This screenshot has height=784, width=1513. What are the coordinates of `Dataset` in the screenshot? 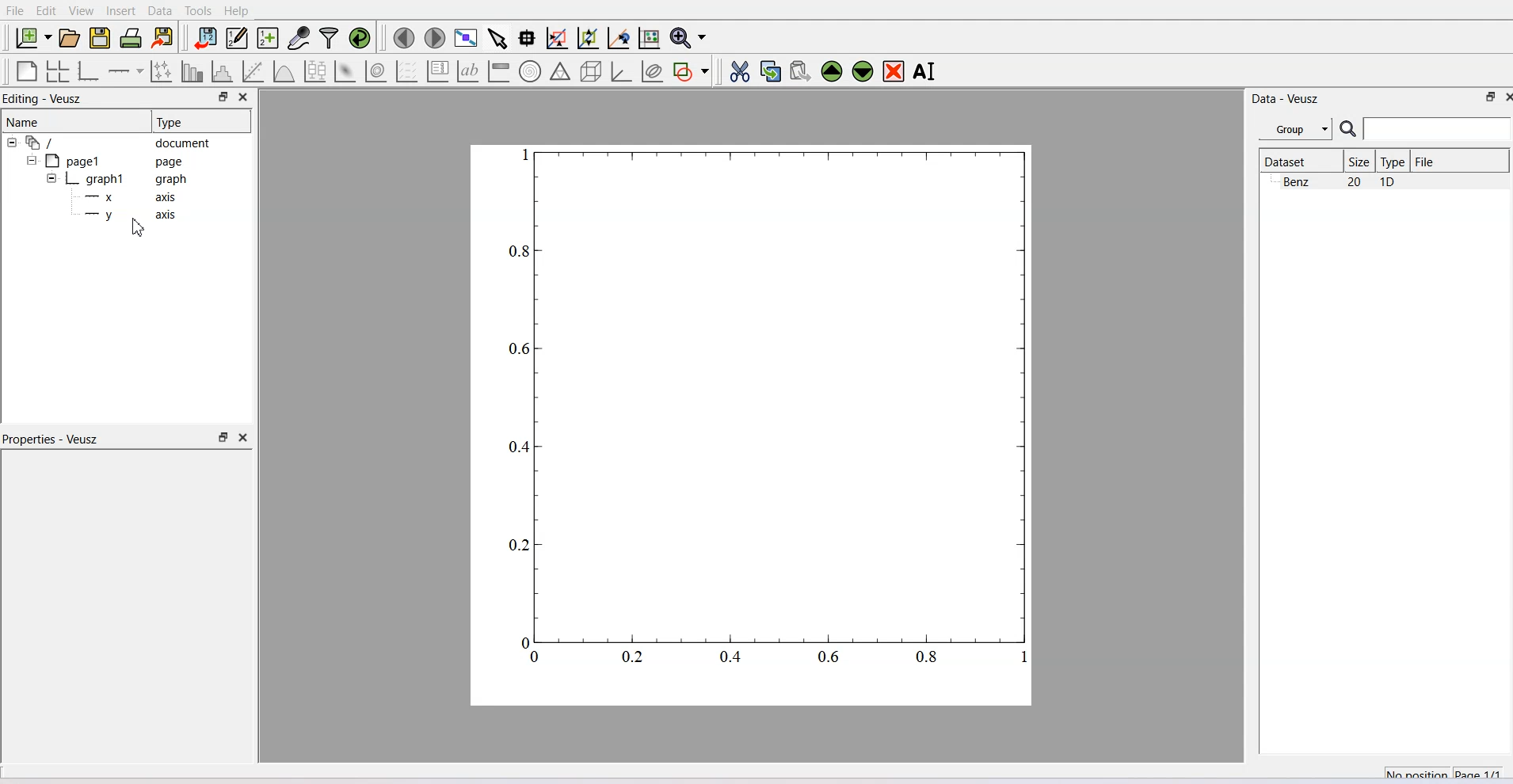 It's located at (1299, 161).